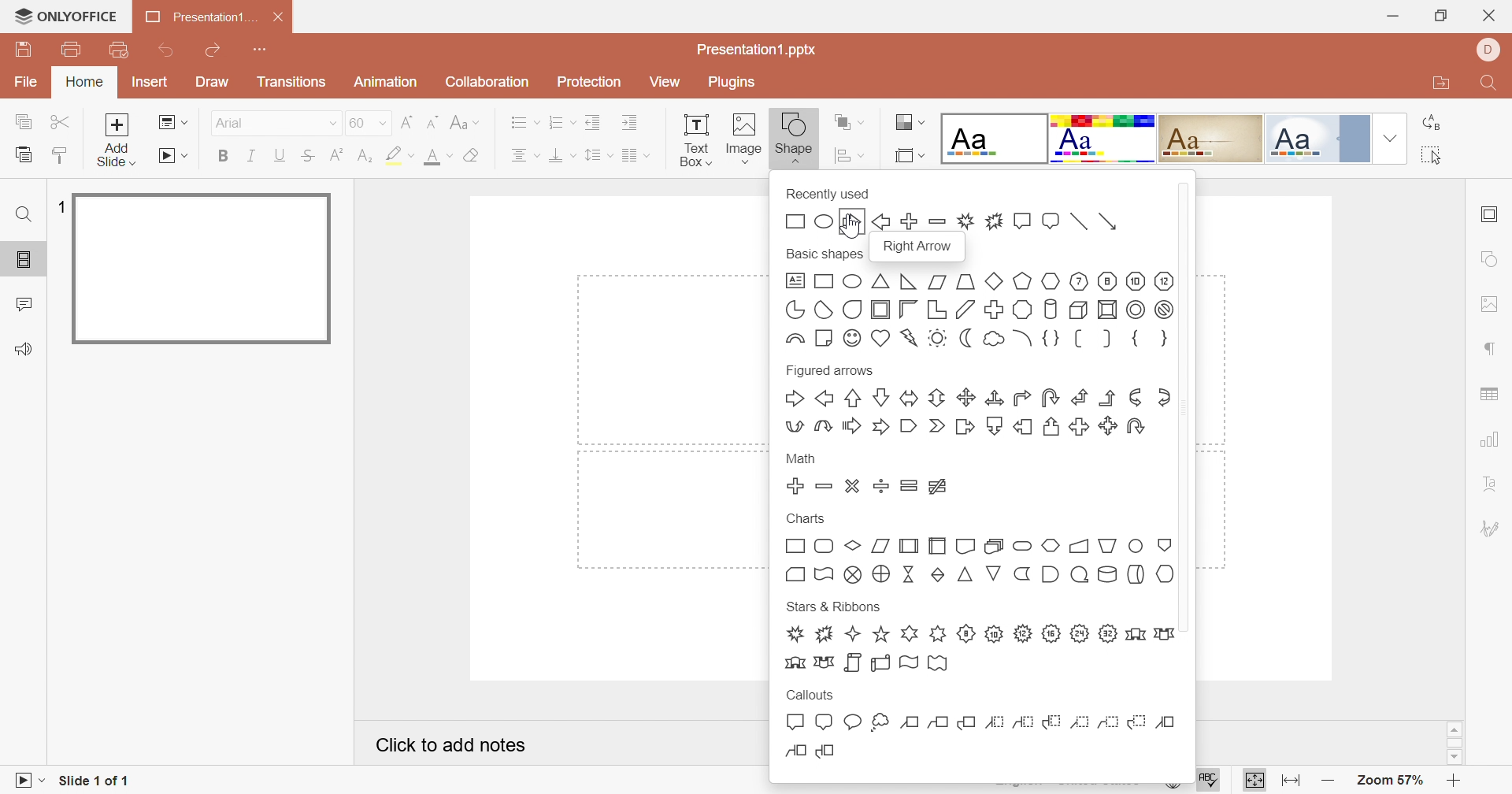  Describe the element at coordinates (1489, 84) in the screenshot. I see `Find` at that location.